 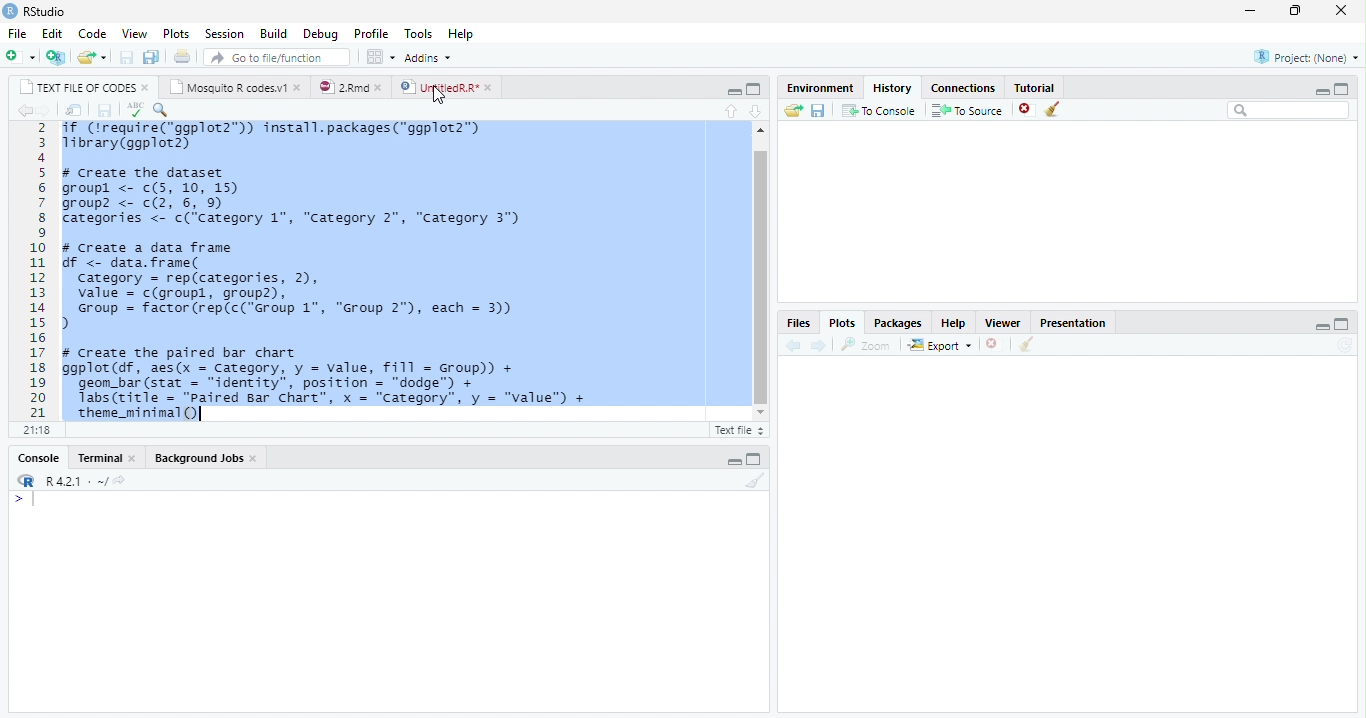 I want to click on file, so click(x=15, y=32).